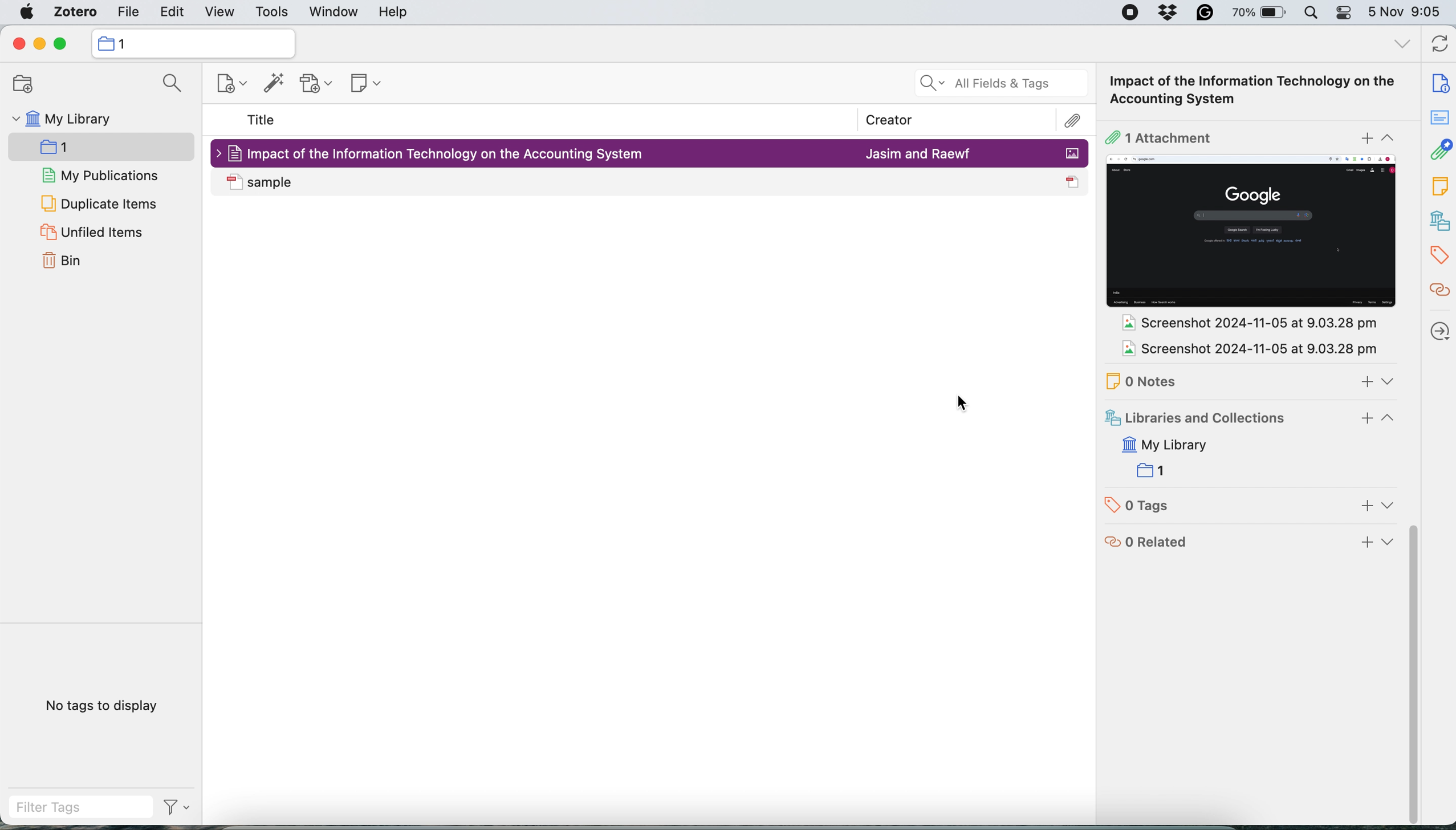 The width and height of the screenshot is (1456, 830). I want to click on attachment, so click(1248, 135).